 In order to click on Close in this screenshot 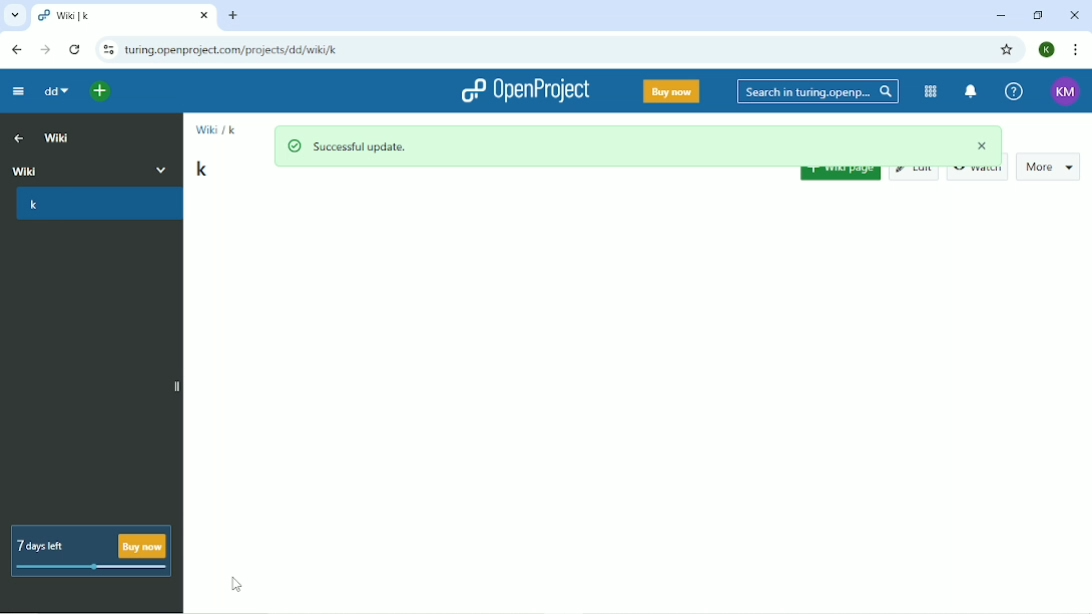, I will do `click(1074, 15)`.